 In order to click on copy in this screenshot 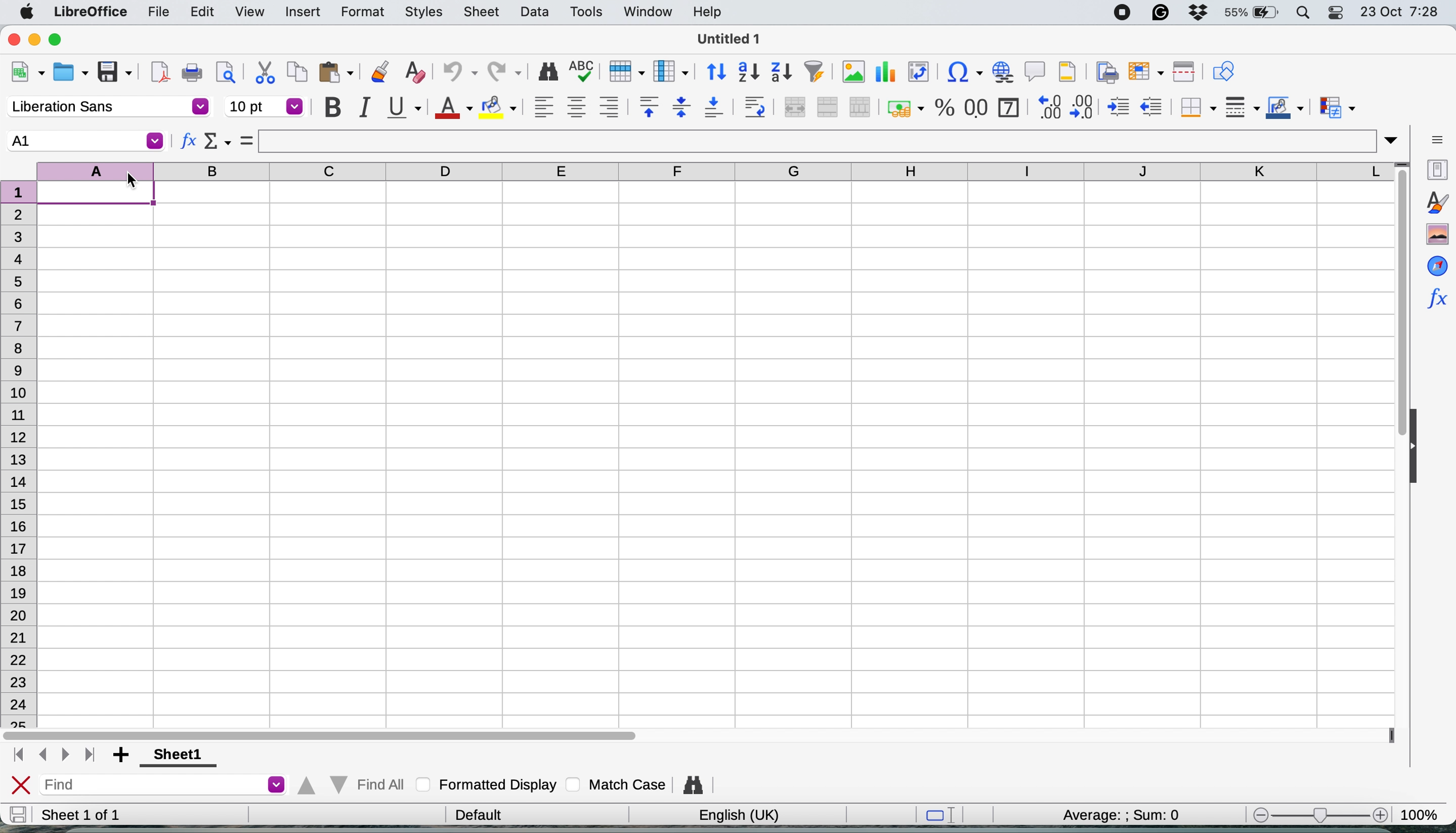, I will do `click(297, 74)`.